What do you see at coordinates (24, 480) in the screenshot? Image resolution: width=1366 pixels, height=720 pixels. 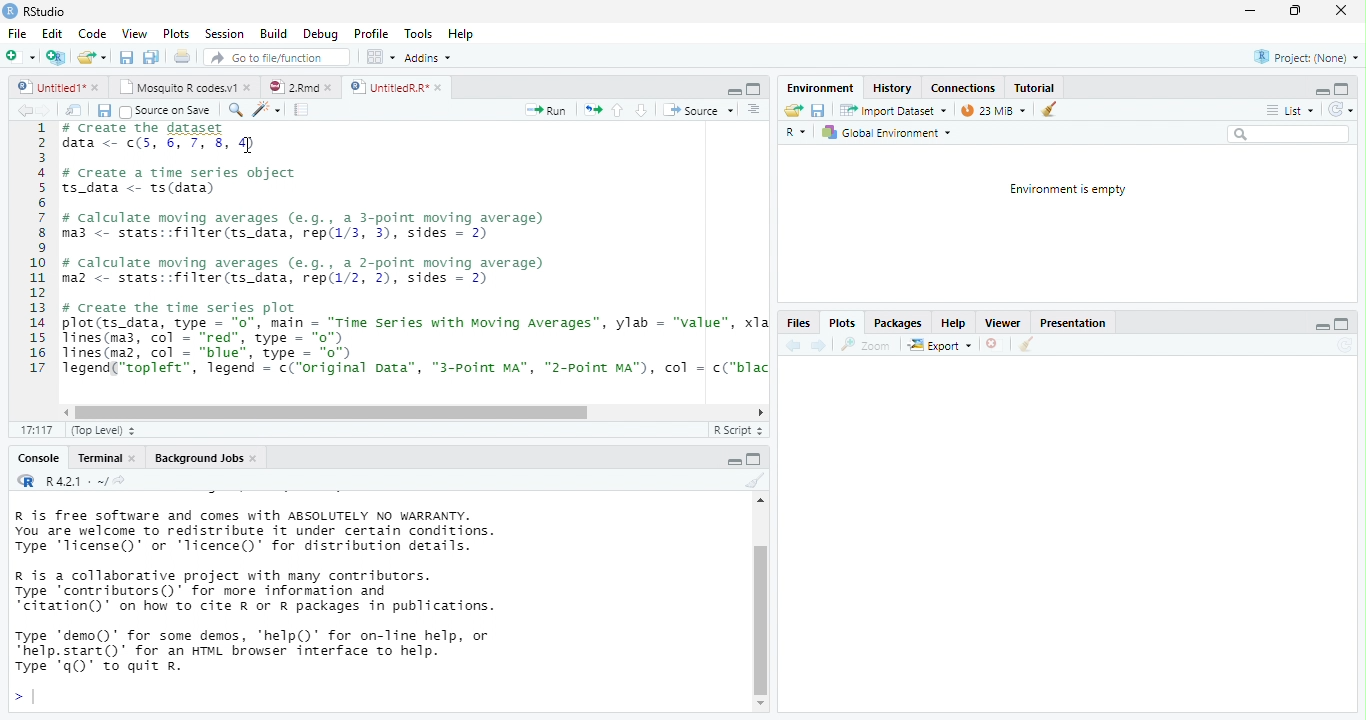 I see `R` at bounding box center [24, 480].